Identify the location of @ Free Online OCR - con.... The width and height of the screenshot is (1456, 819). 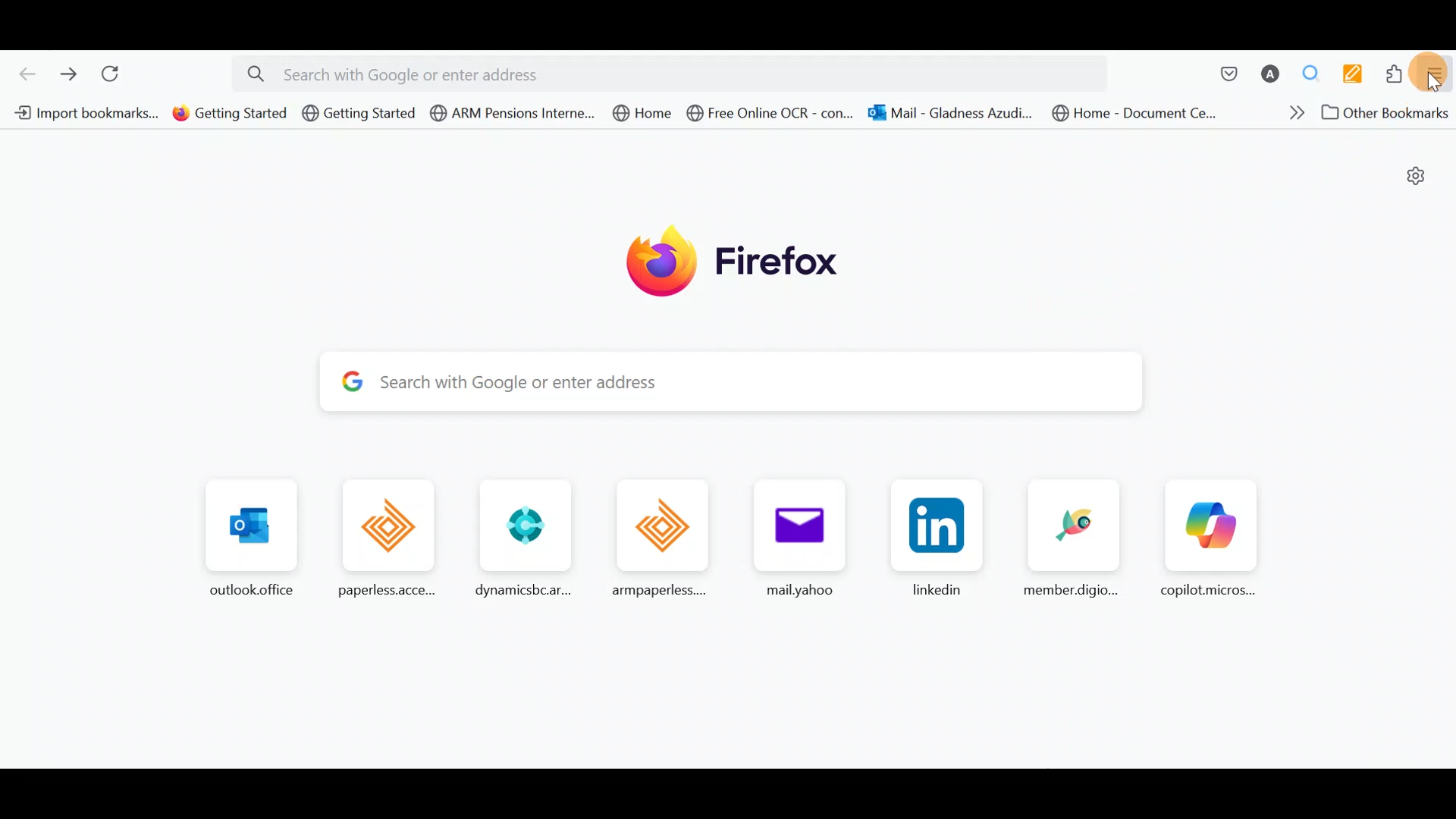
(773, 115).